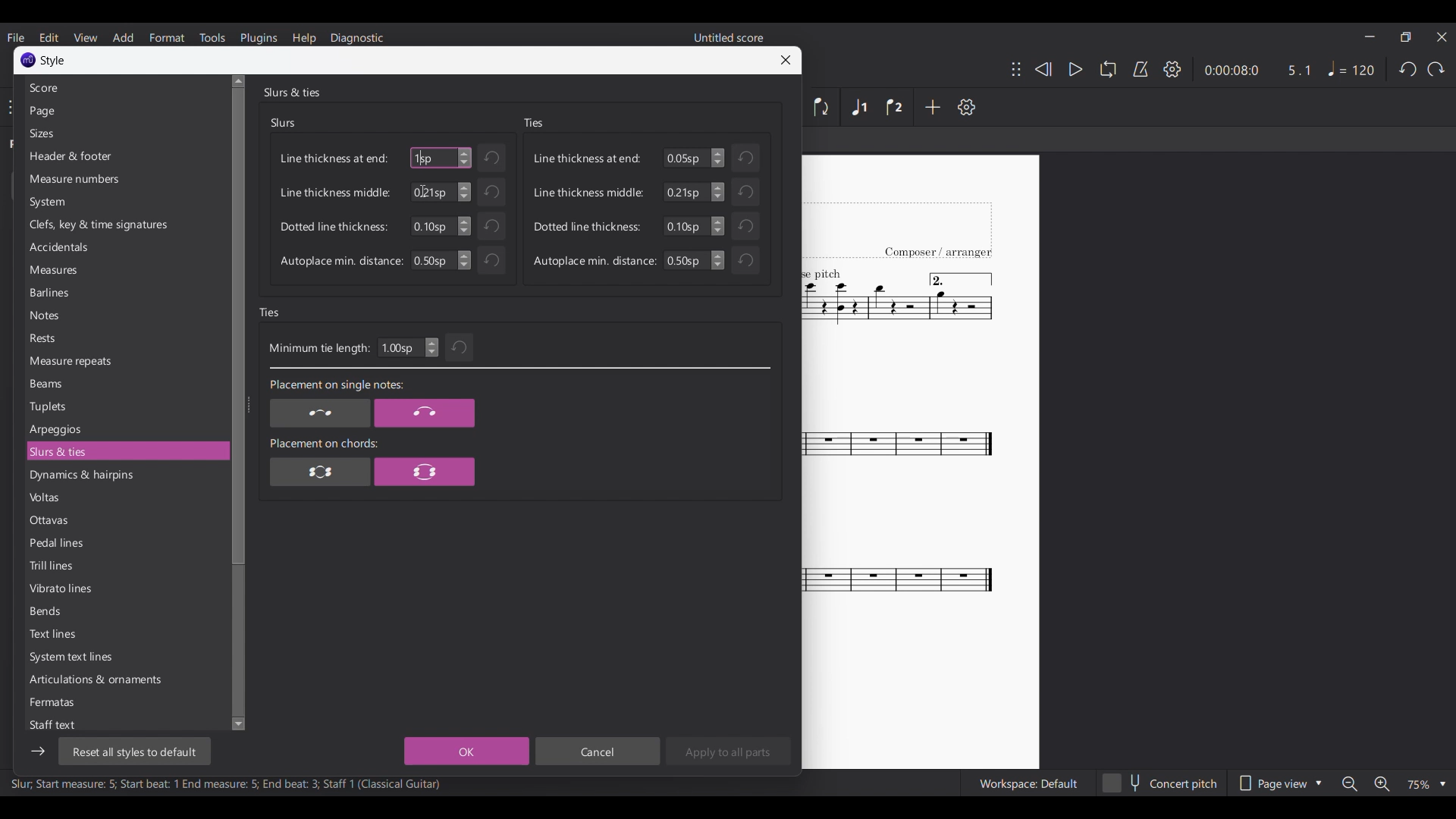 Image resolution: width=1456 pixels, height=819 pixels. I want to click on Header & footer, so click(125, 156).